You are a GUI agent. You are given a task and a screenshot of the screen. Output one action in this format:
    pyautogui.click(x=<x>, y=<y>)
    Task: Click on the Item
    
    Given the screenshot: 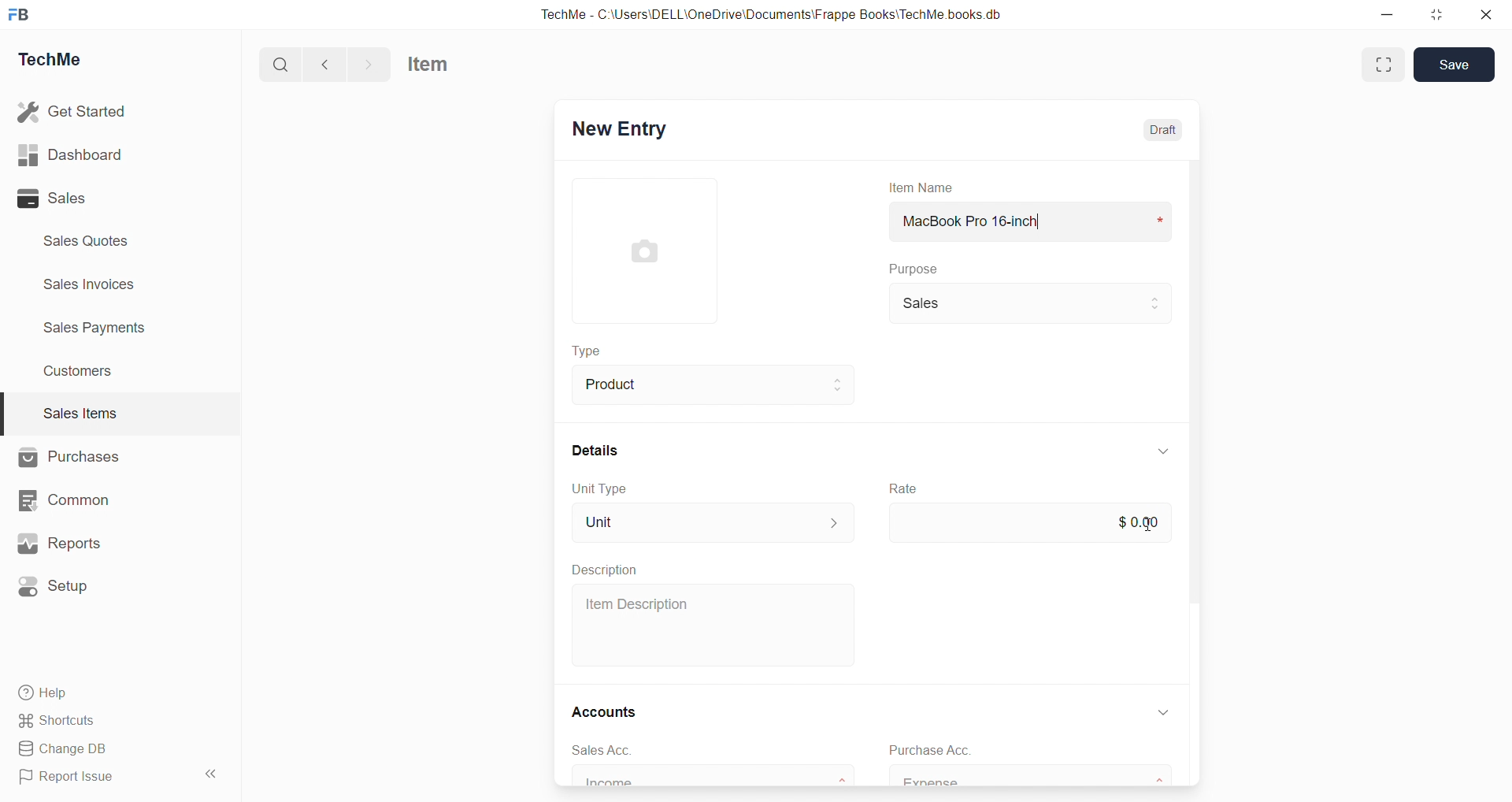 What is the action you would take?
    pyautogui.click(x=428, y=64)
    